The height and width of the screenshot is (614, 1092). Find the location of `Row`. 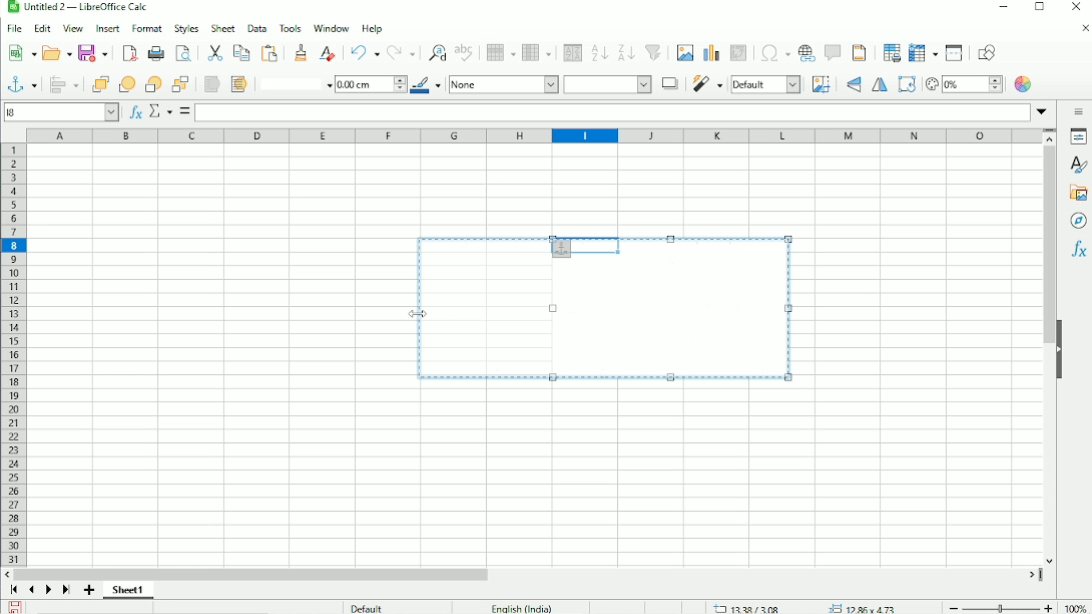

Row is located at coordinates (499, 52).